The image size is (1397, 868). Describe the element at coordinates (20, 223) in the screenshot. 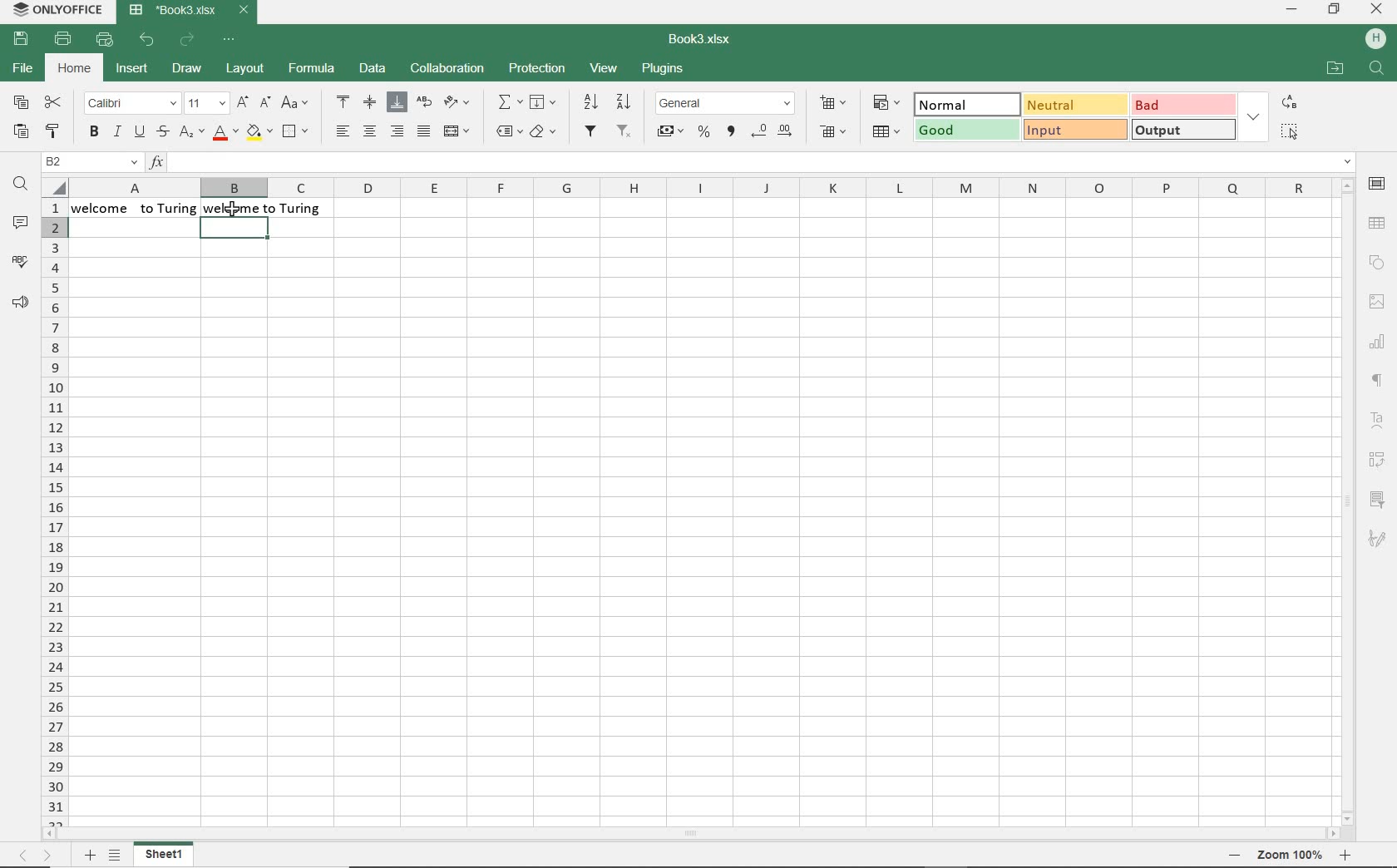

I see `comments` at that location.